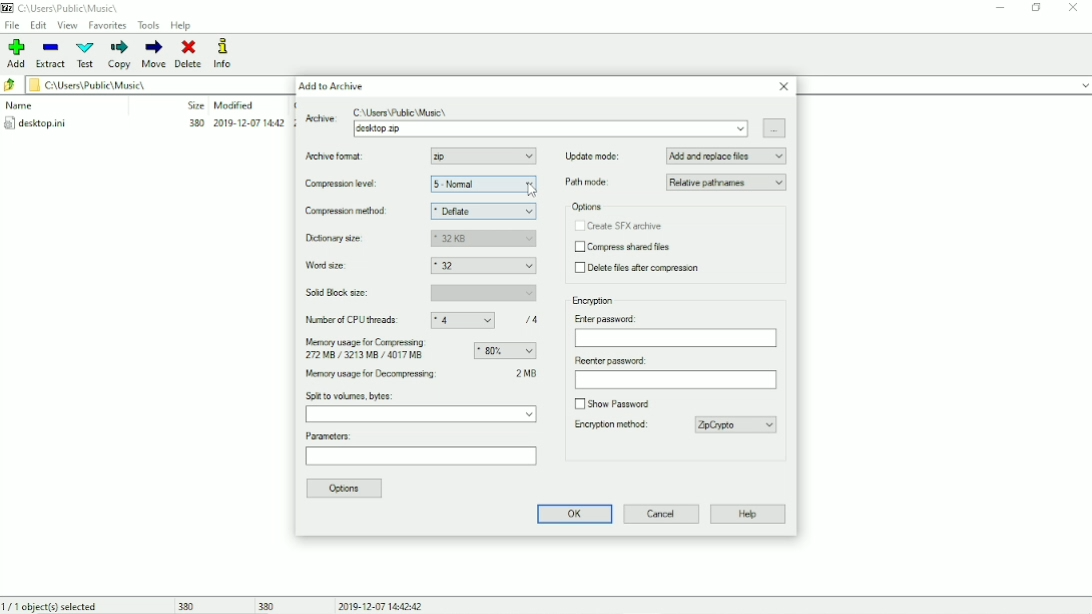 The height and width of the screenshot is (614, 1092). What do you see at coordinates (421, 293) in the screenshot?
I see `Solid block size` at bounding box center [421, 293].